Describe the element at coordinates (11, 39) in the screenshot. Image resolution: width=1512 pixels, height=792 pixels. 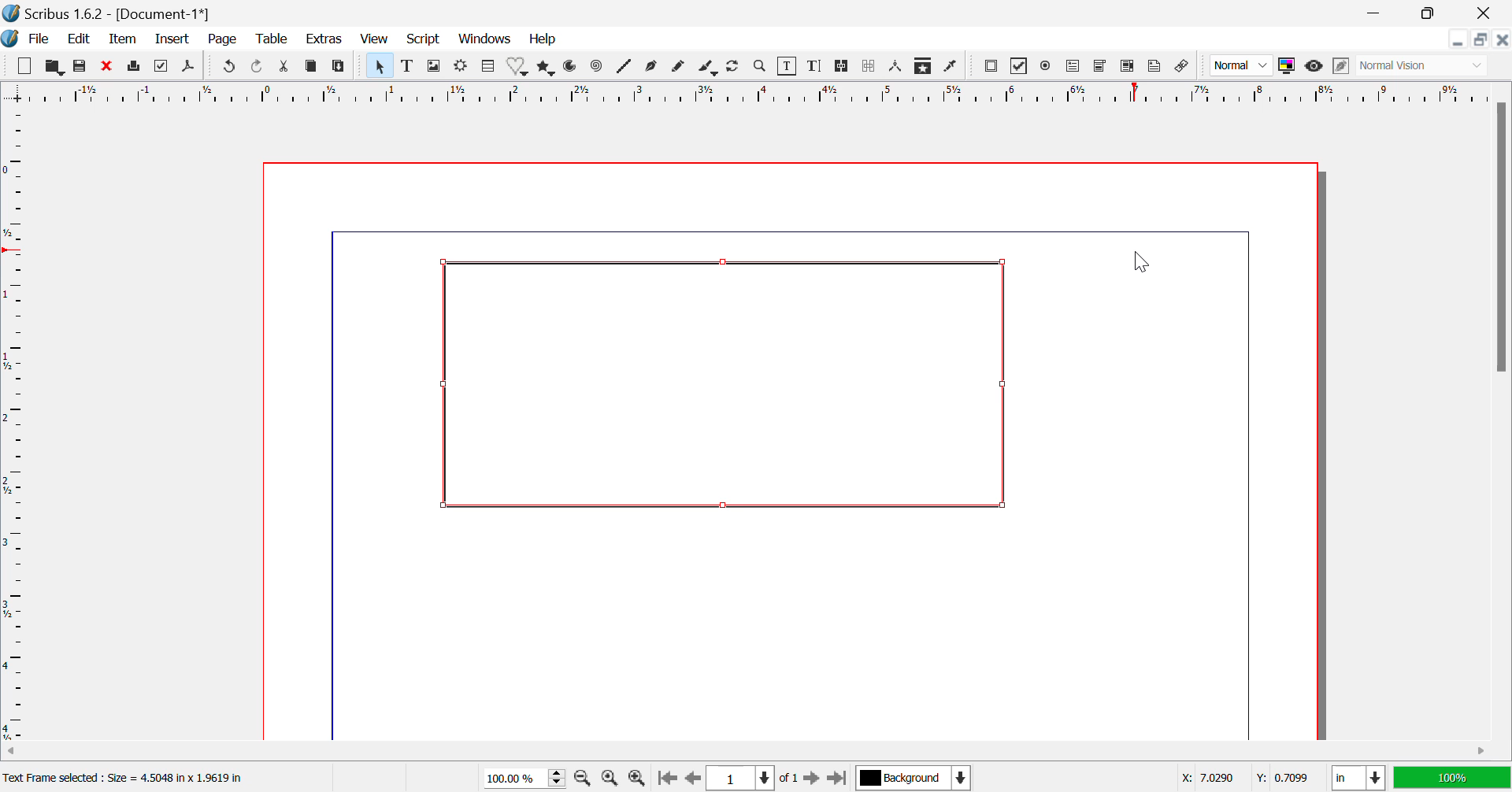
I see `Scribus Logo` at that location.